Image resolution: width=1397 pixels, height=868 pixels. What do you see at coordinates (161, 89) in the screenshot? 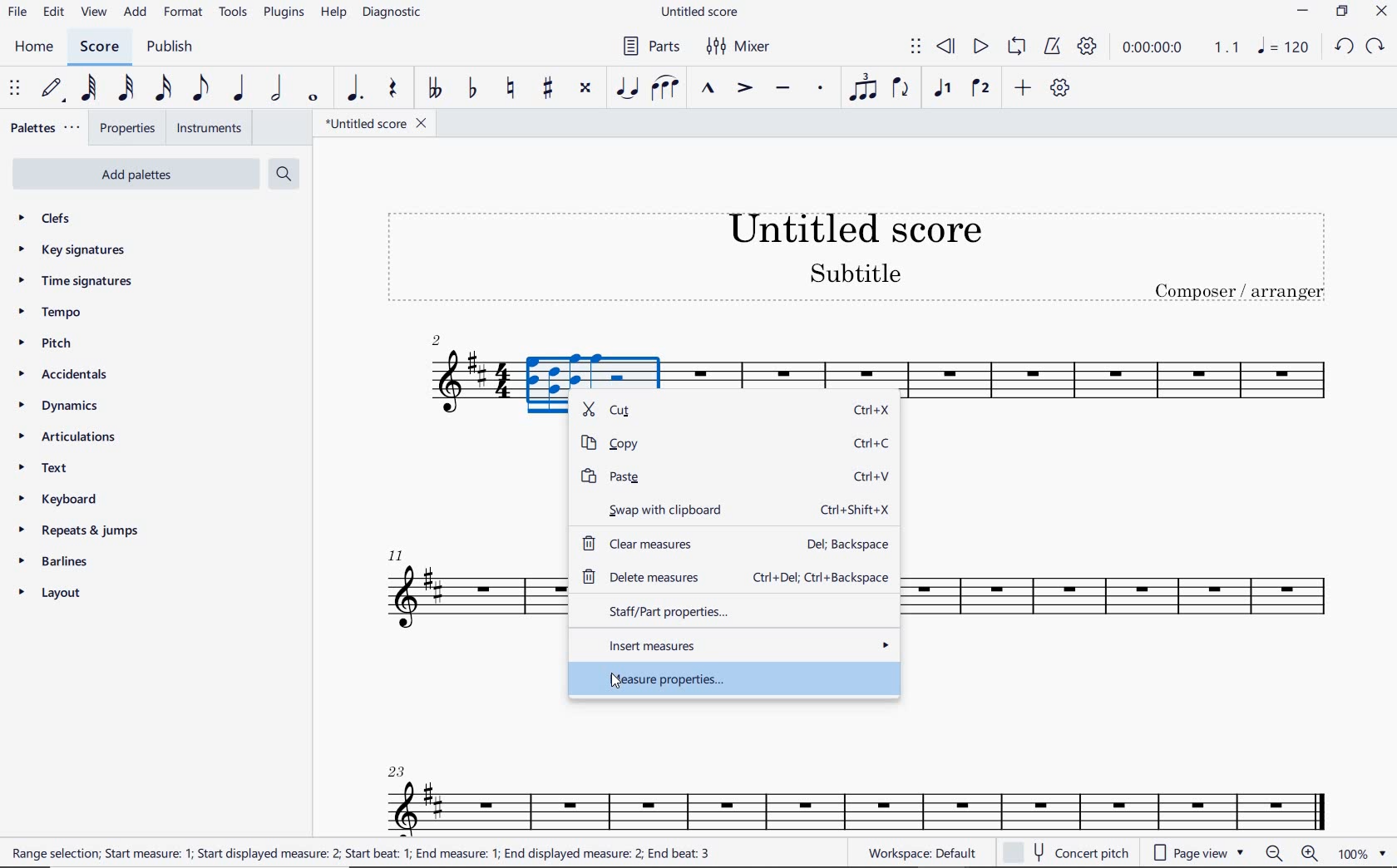
I see `16TH NOTE` at bounding box center [161, 89].